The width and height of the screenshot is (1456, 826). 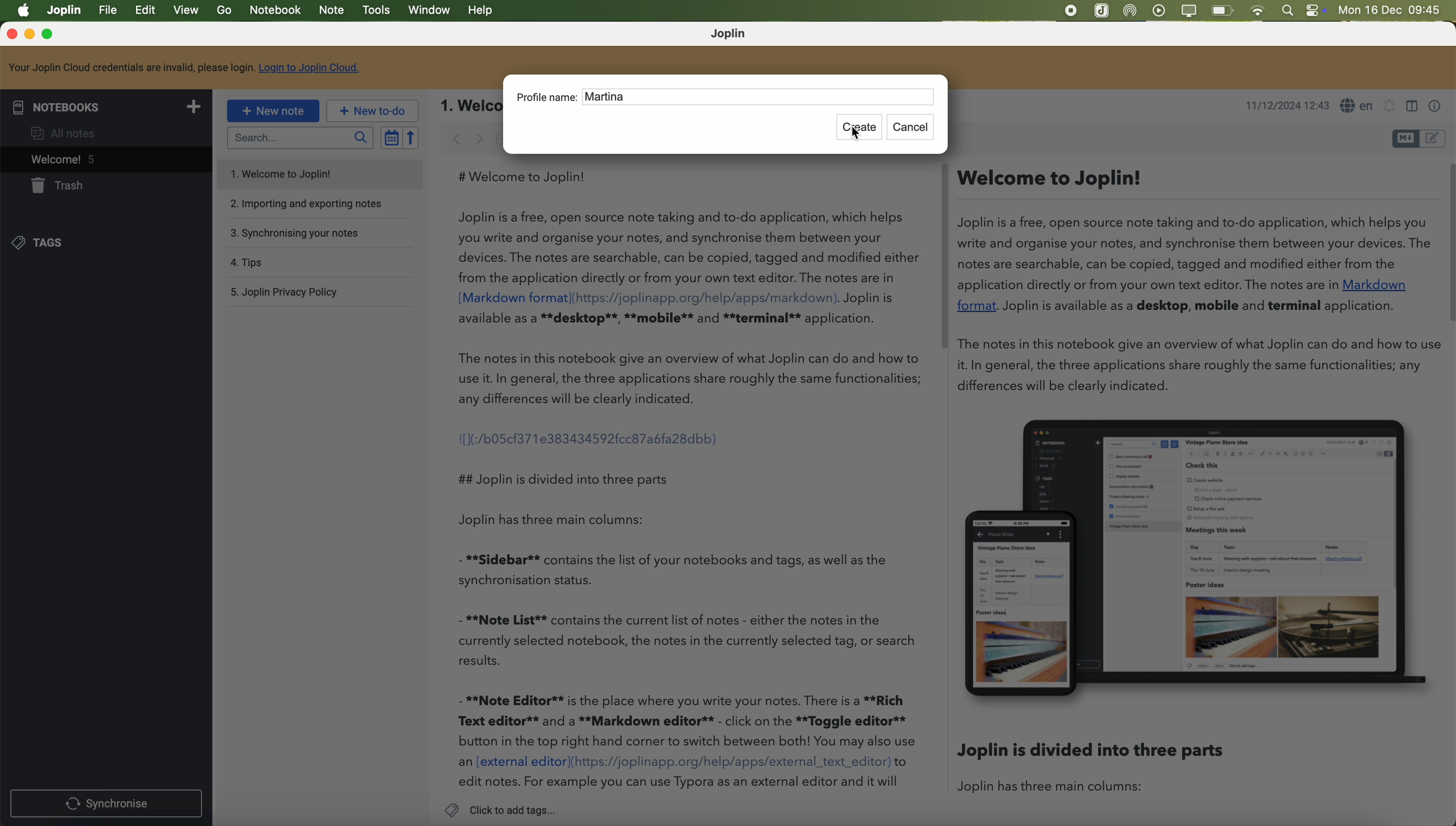 I want to click on tools, so click(x=375, y=11).